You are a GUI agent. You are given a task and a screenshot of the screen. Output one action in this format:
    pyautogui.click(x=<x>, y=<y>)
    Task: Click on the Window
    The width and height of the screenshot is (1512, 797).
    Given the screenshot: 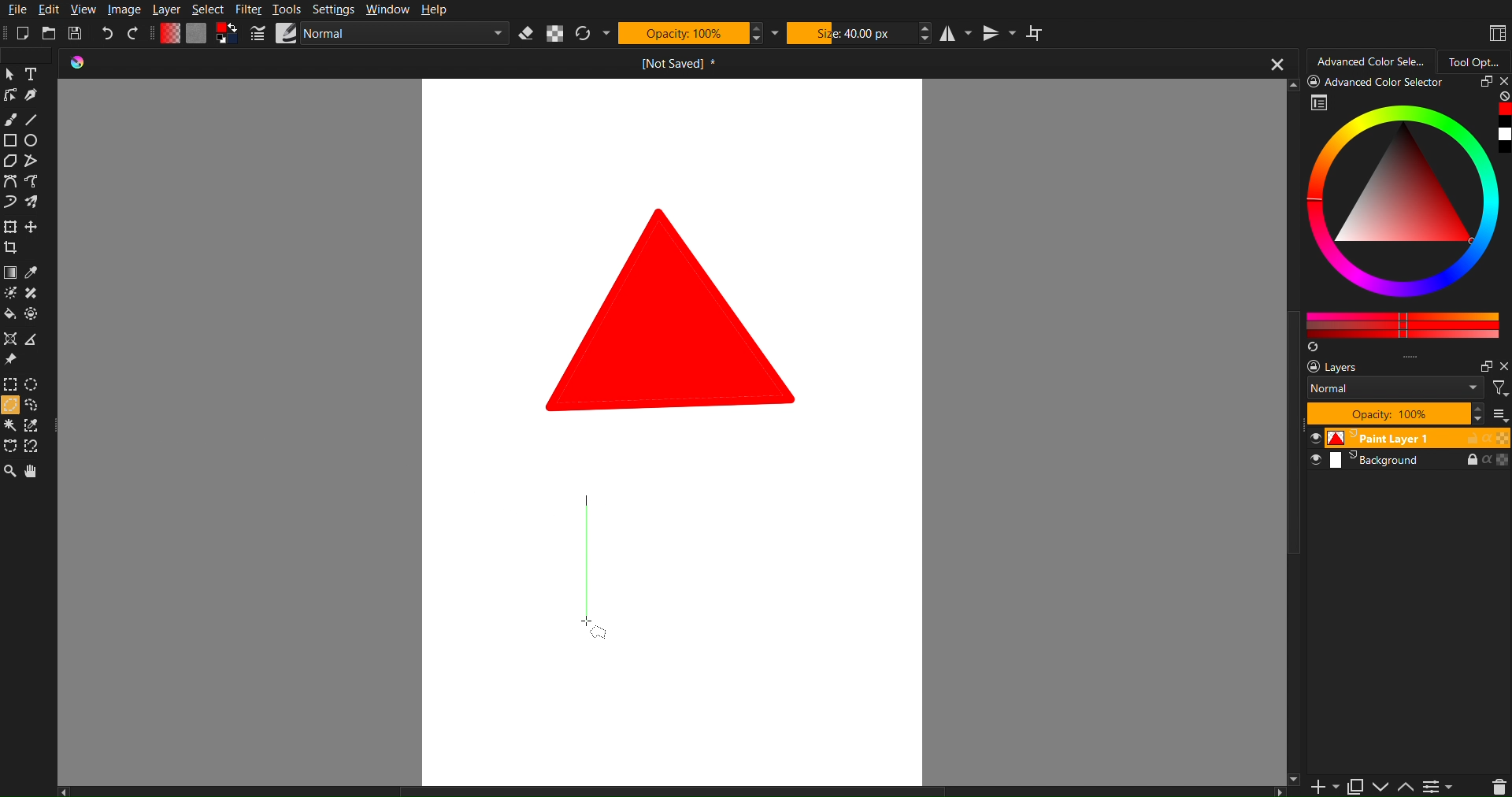 What is the action you would take?
    pyautogui.click(x=387, y=10)
    